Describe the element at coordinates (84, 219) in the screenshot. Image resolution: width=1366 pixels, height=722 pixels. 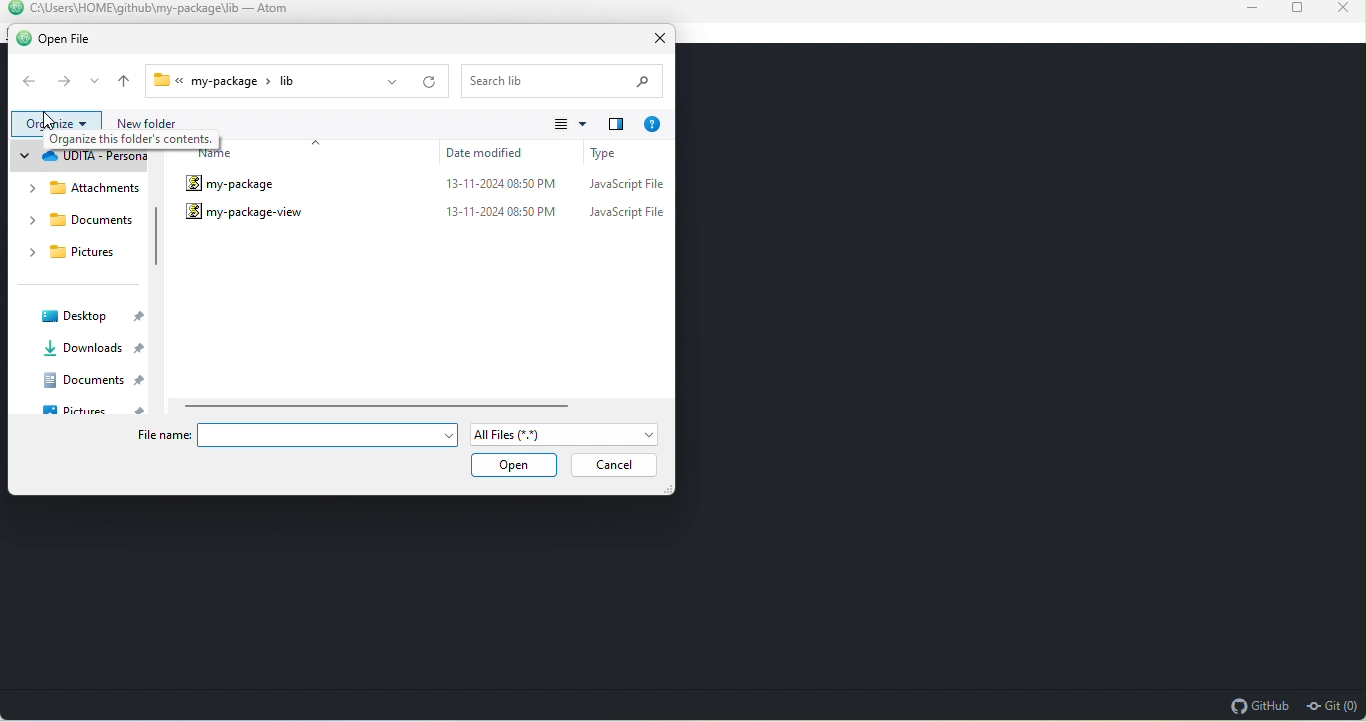
I see `documents` at that location.